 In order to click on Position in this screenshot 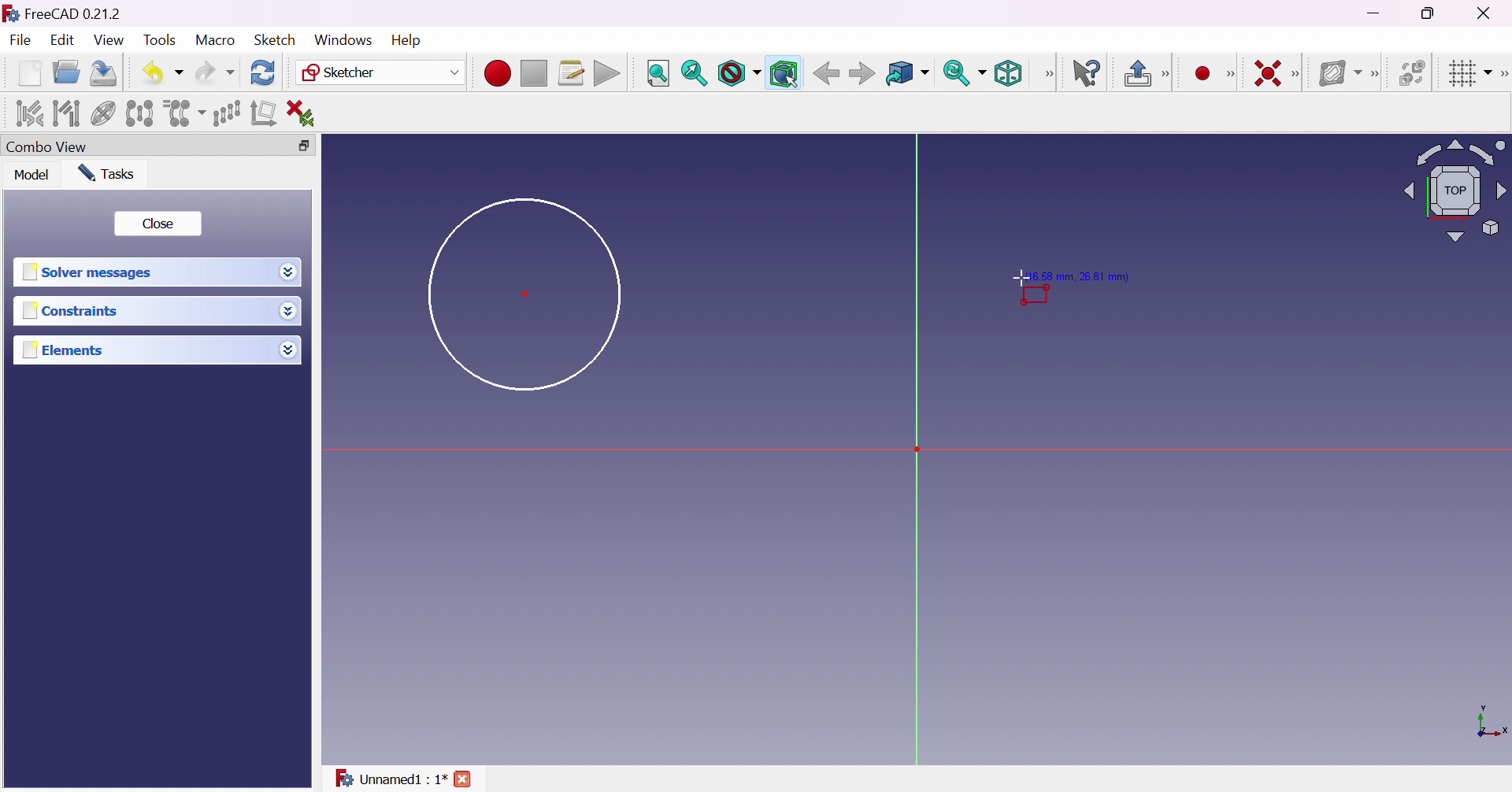, I will do `click(1078, 275)`.